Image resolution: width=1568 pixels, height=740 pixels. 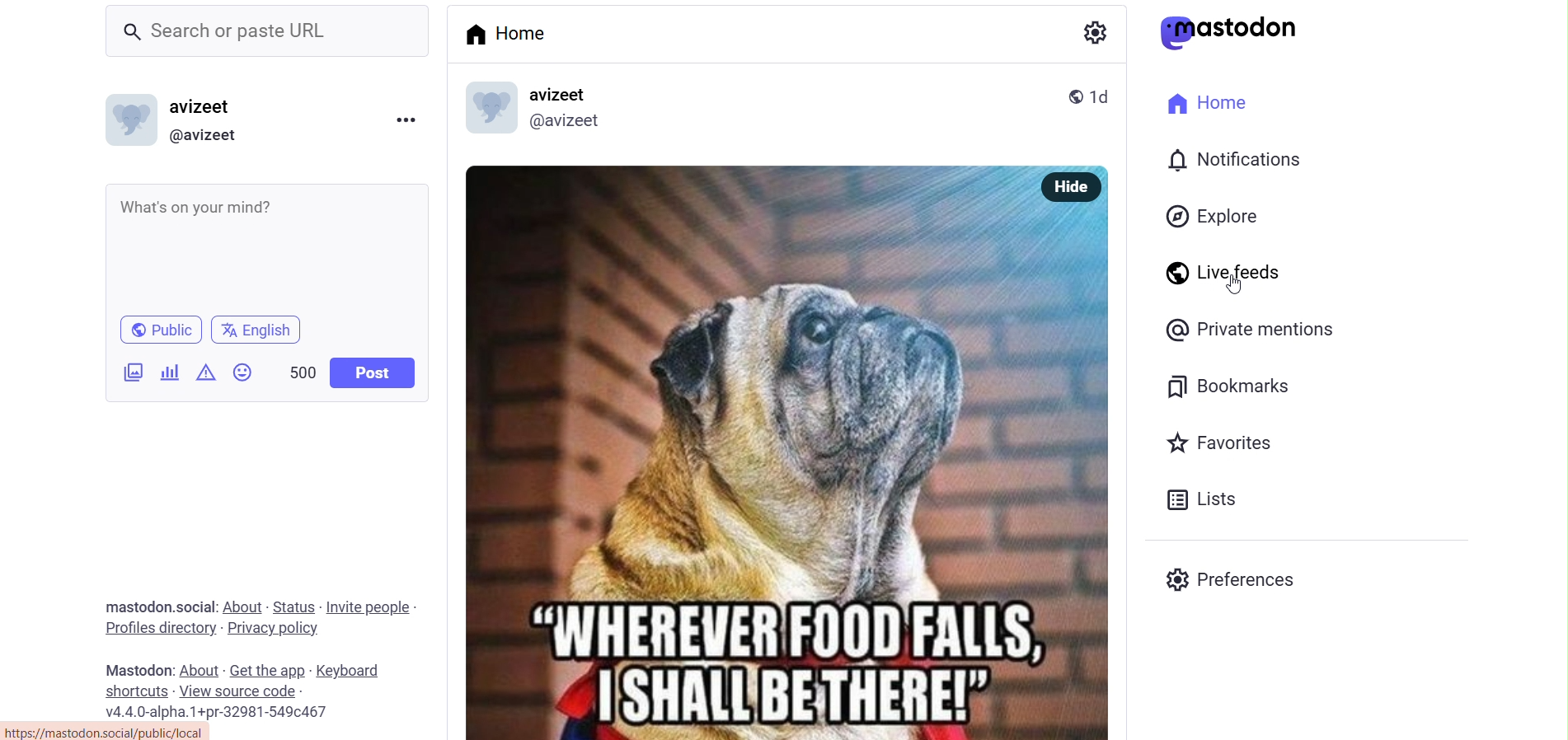 I want to click on status, so click(x=292, y=605).